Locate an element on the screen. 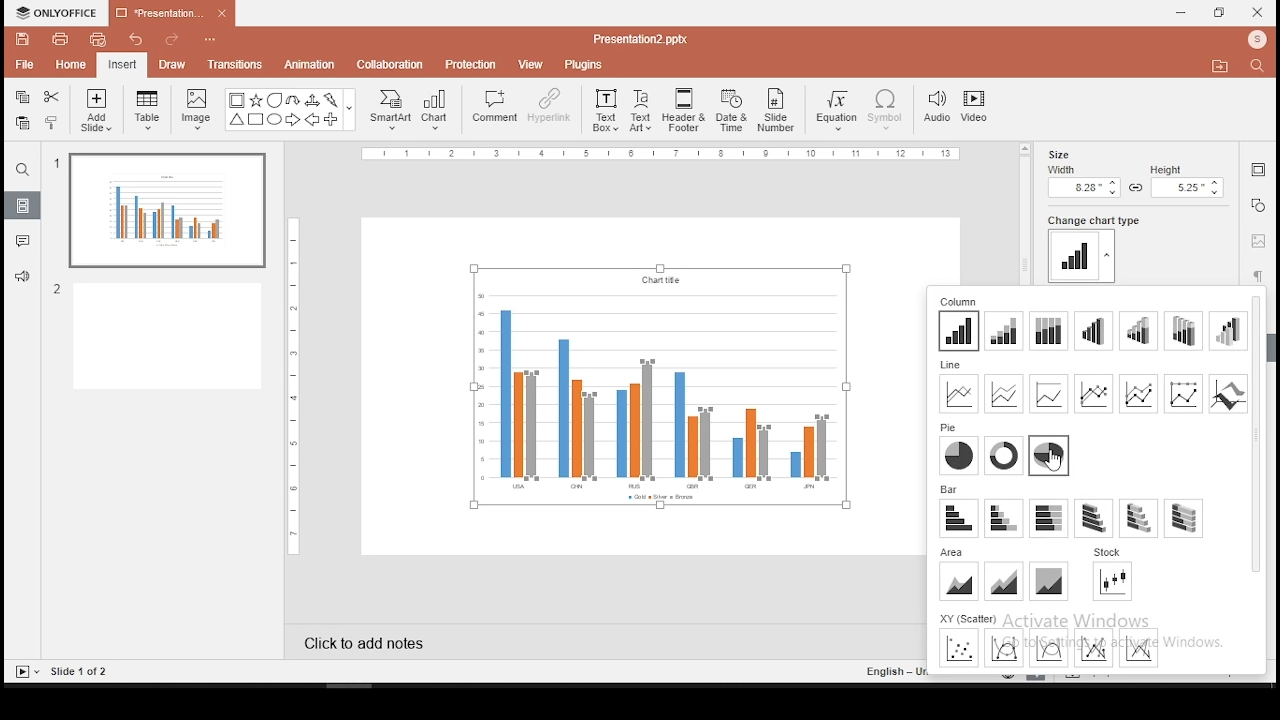 The height and width of the screenshot is (720, 1280). pie 2 is located at coordinates (1004, 455).